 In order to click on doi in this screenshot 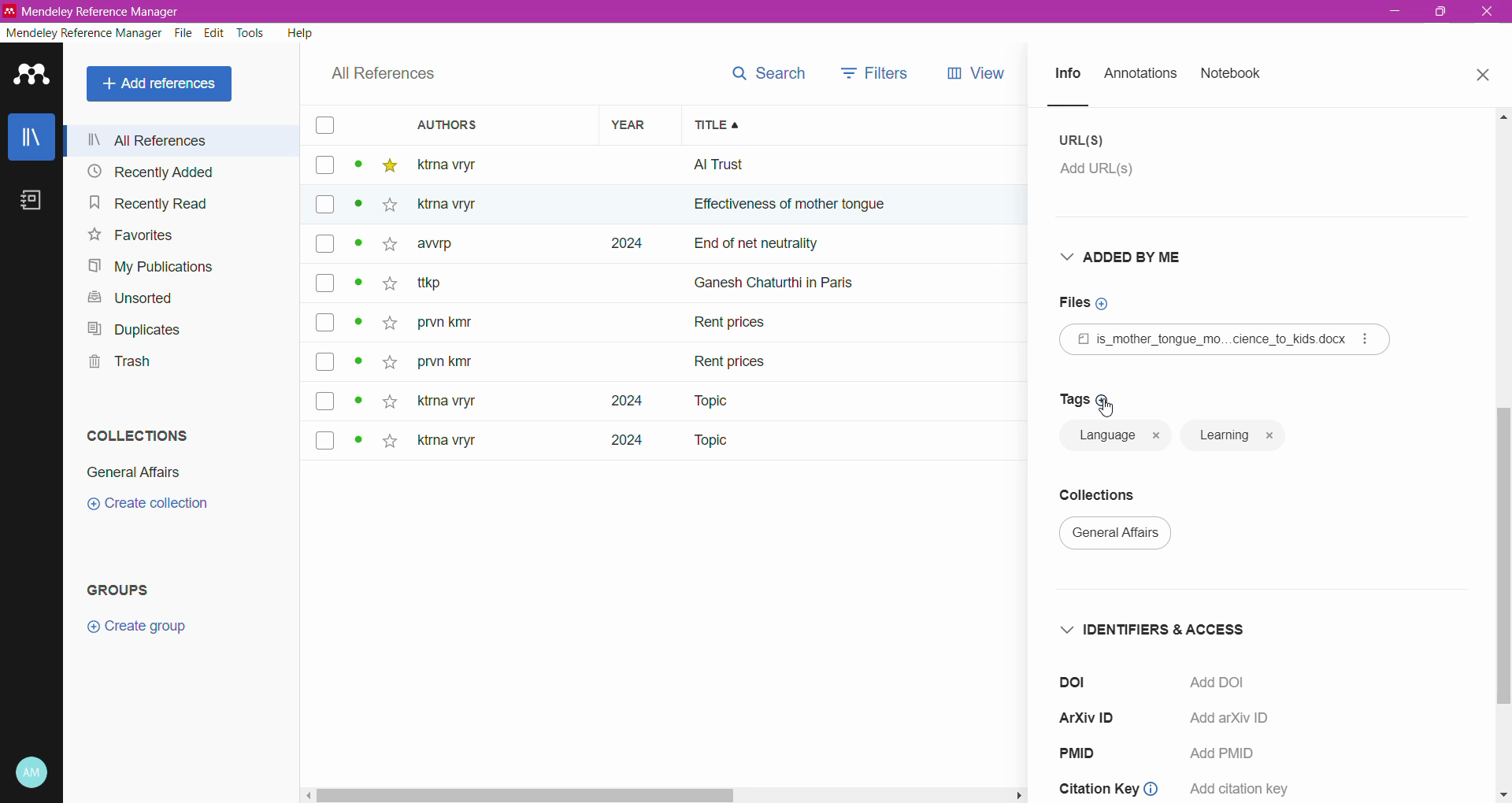, I will do `click(1077, 682)`.